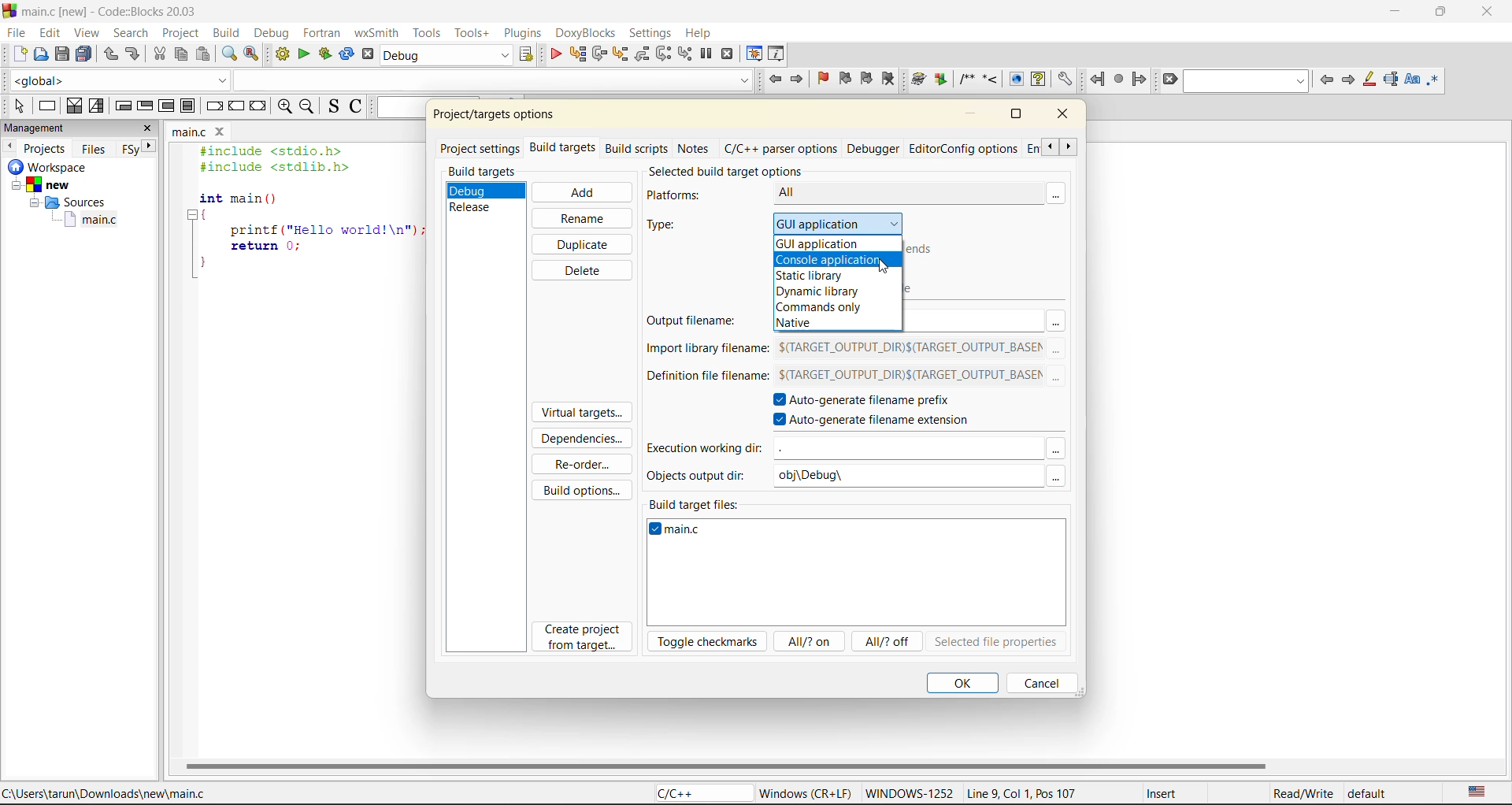 The height and width of the screenshot is (805, 1512). Describe the element at coordinates (180, 34) in the screenshot. I see `project` at that location.